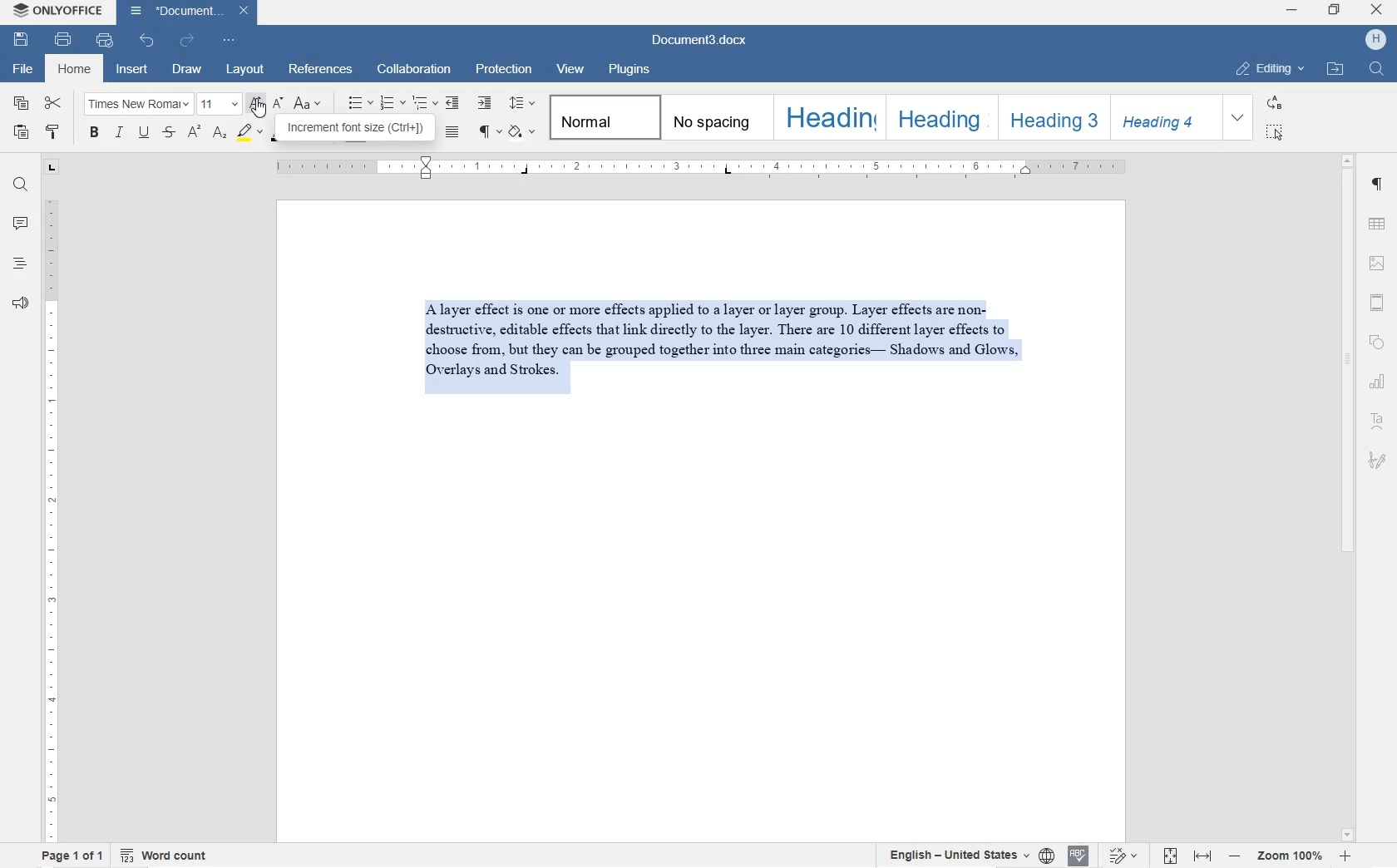 Image resolution: width=1397 pixels, height=868 pixels. Describe the element at coordinates (19, 69) in the screenshot. I see `file` at that location.